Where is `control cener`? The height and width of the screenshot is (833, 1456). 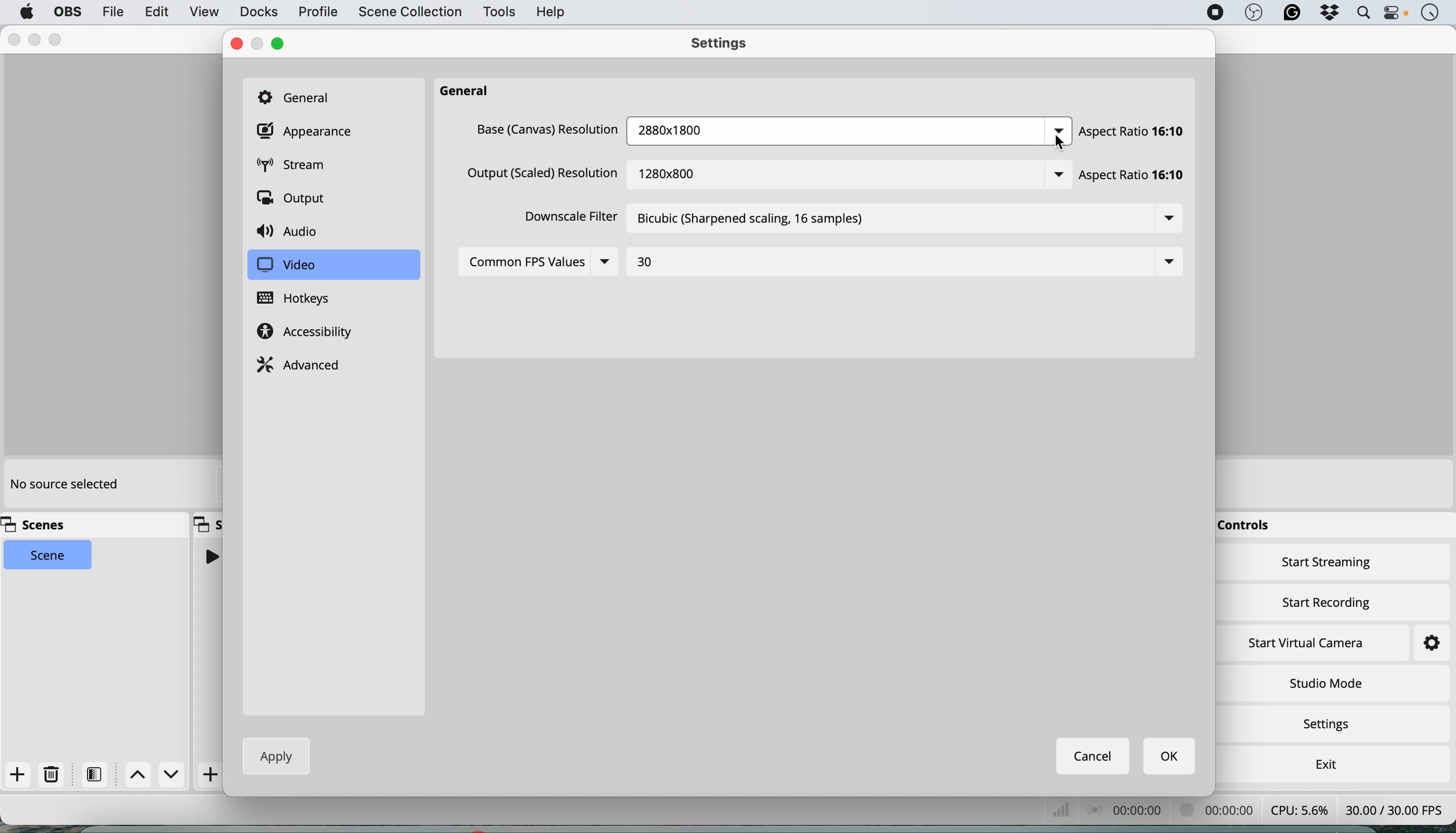
control cener is located at coordinates (1395, 15).